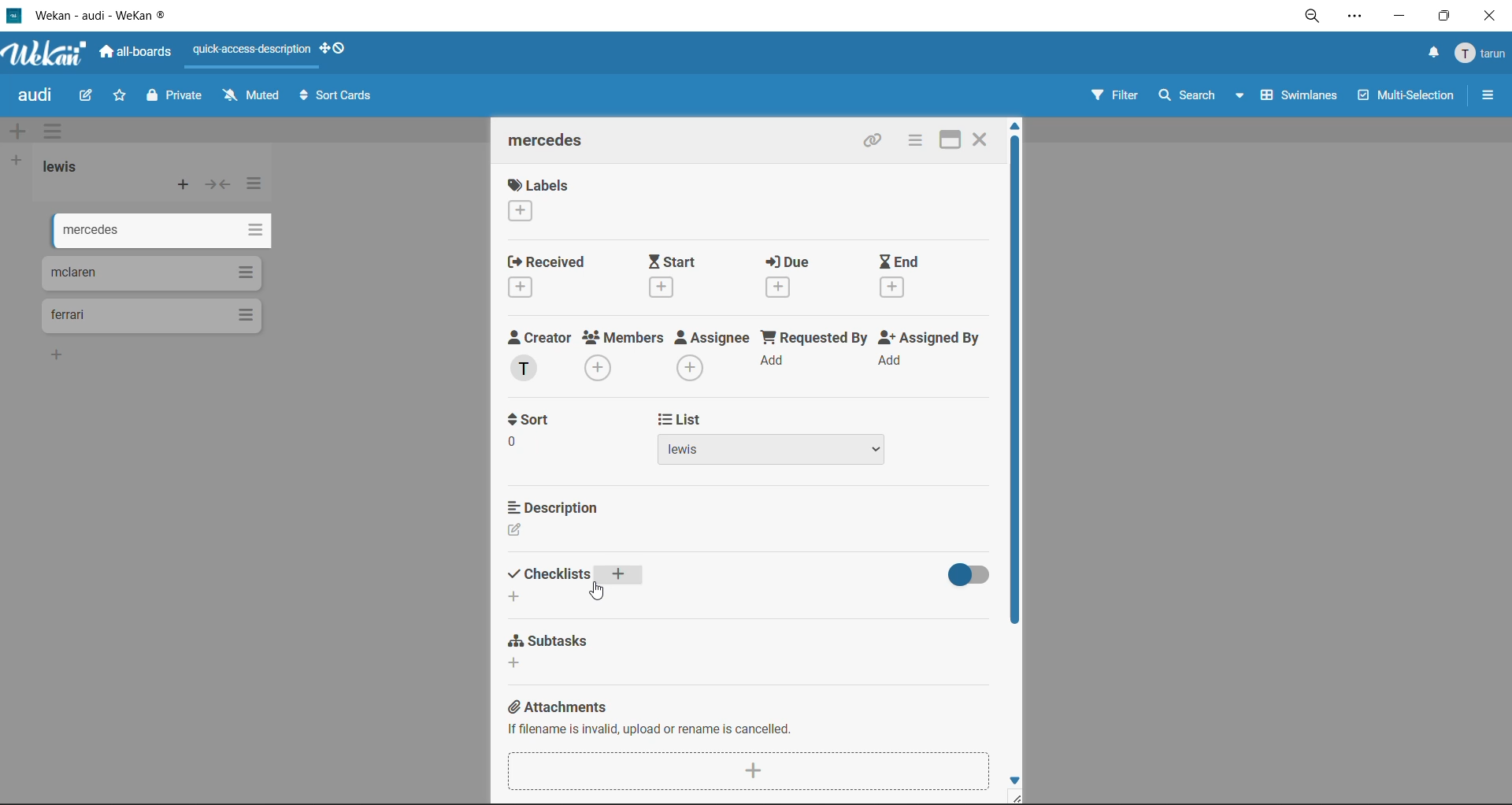  I want to click on assignee, so click(717, 358).